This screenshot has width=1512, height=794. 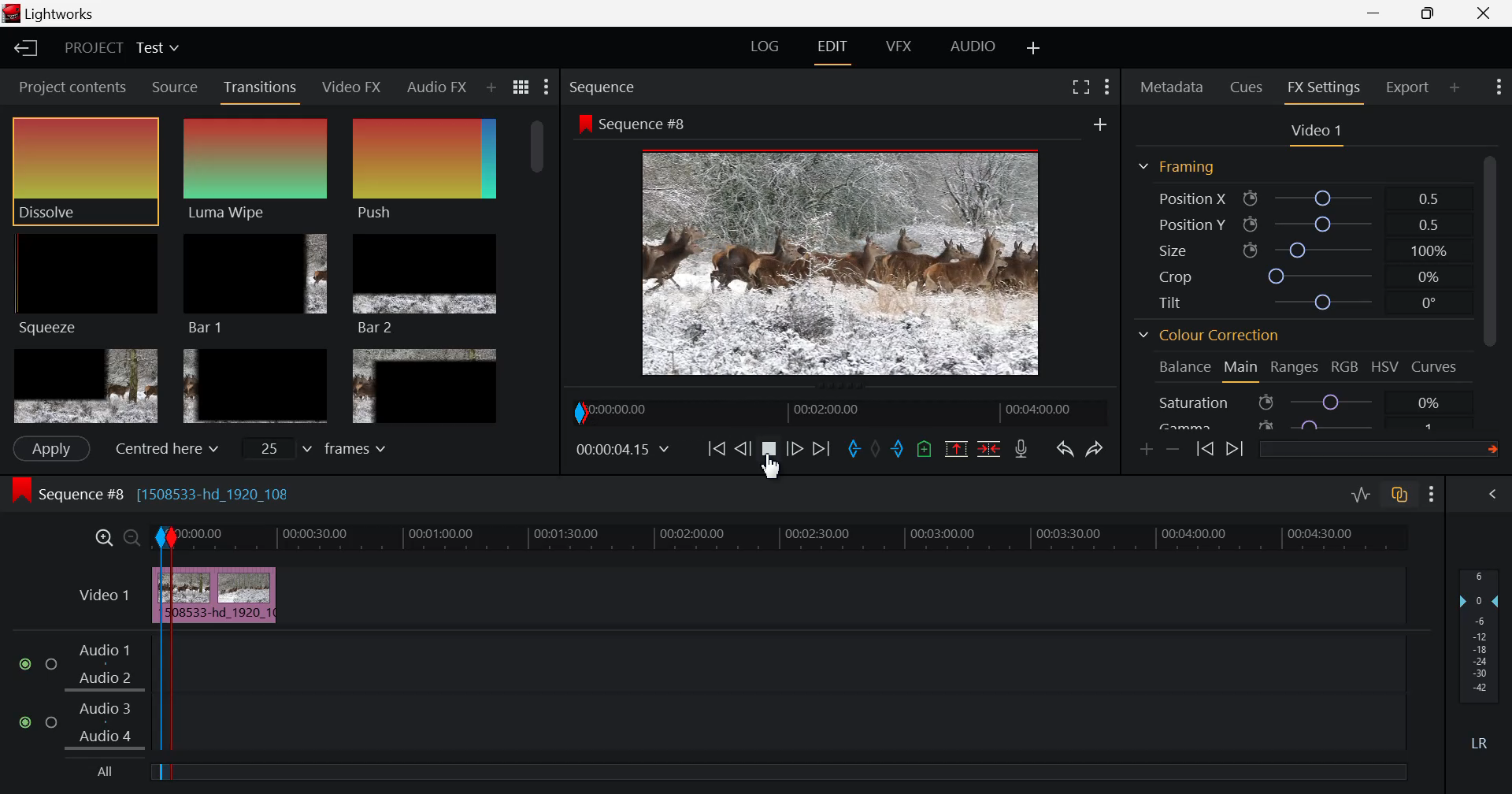 What do you see at coordinates (632, 124) in the screenshot?
I see `Sequence #8` at bounding box center [632, 124].